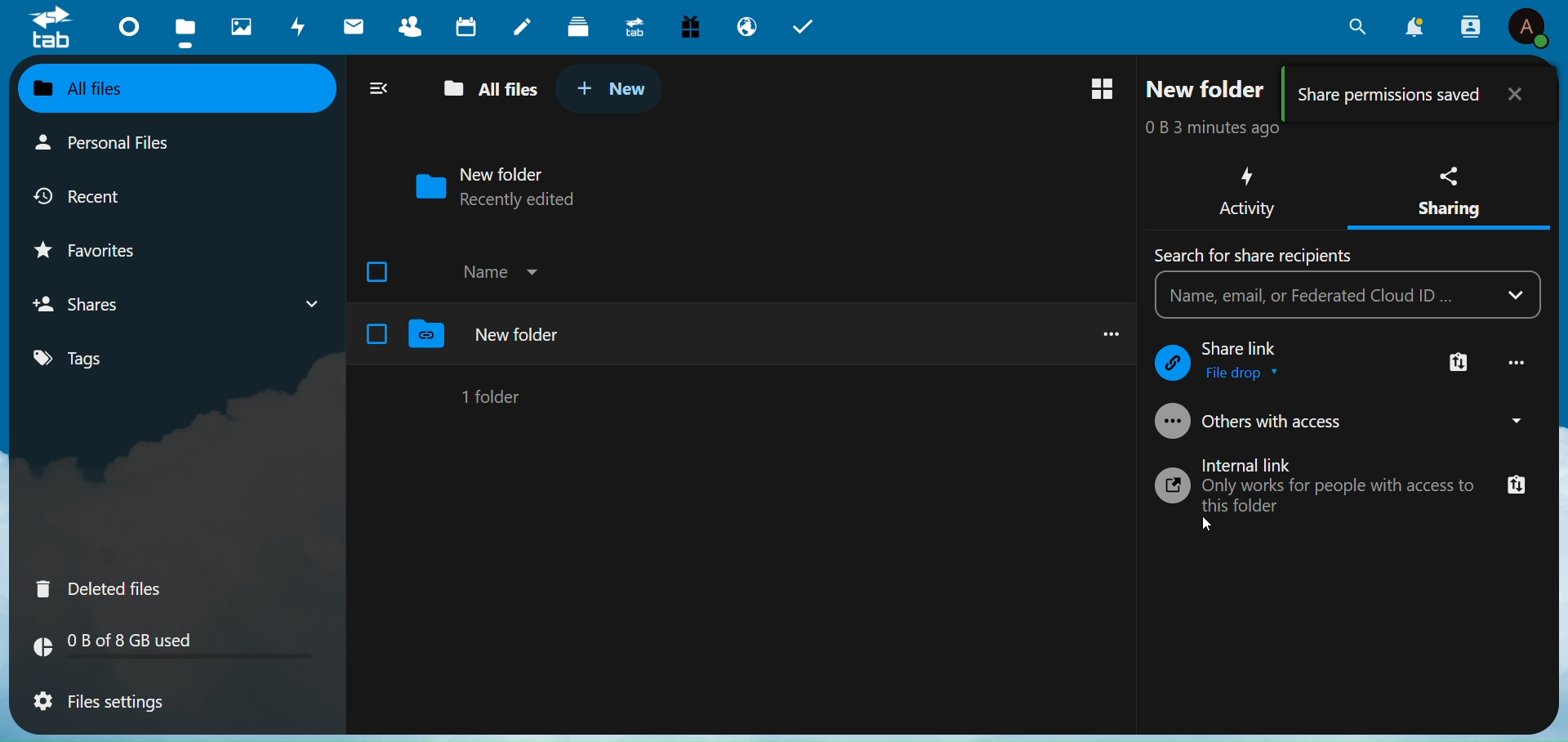 The width and height of the screenshot is (1568, 742). What do you see at coordinates (106, 88) in the screenshot?
I see `All Files` at bounding box center [106, 88].